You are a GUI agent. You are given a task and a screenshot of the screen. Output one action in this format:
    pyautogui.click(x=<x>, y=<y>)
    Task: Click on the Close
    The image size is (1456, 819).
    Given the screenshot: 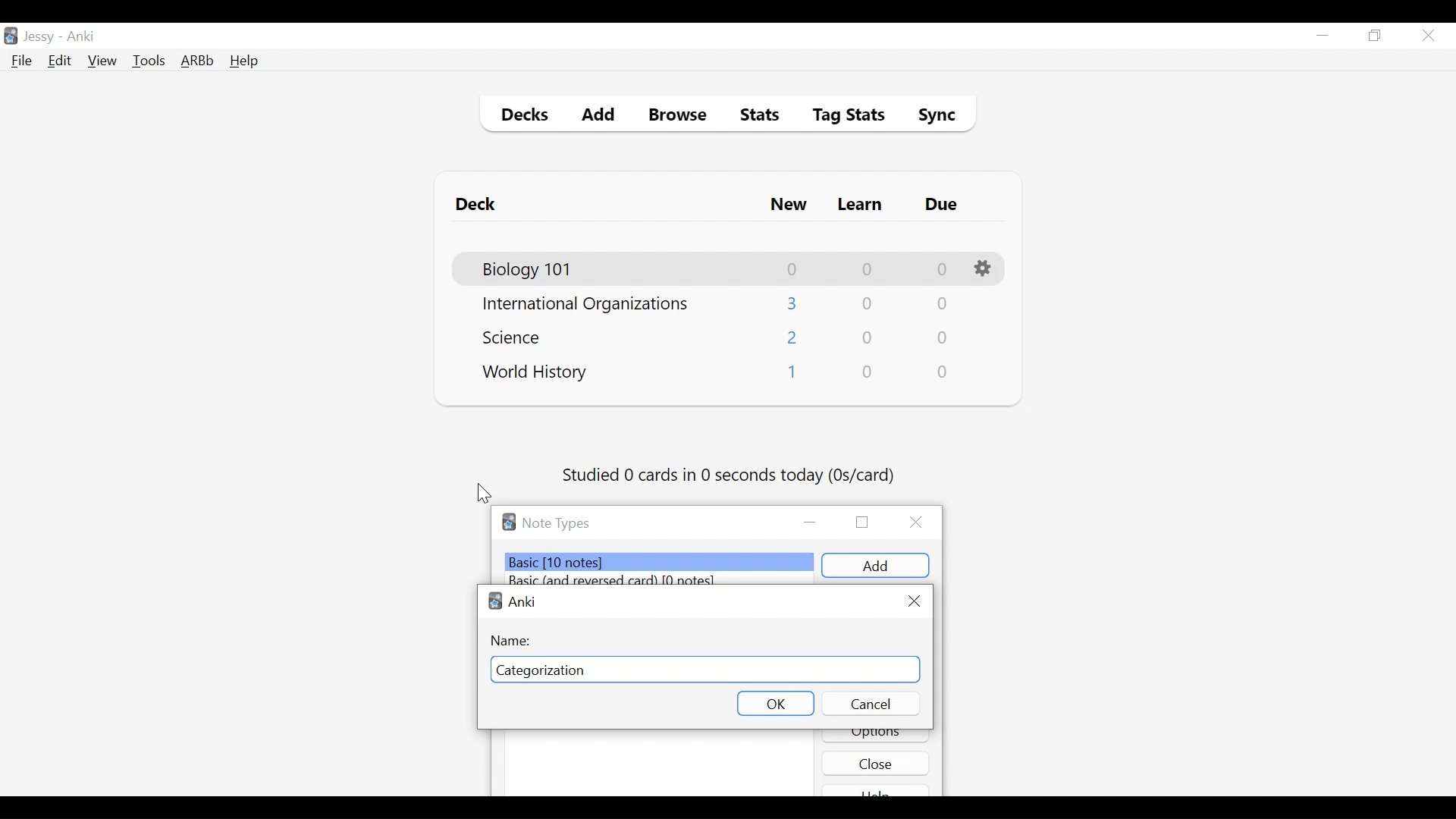 What is the action you would take?
    pyautogui.click(x=1428, y=36)
    